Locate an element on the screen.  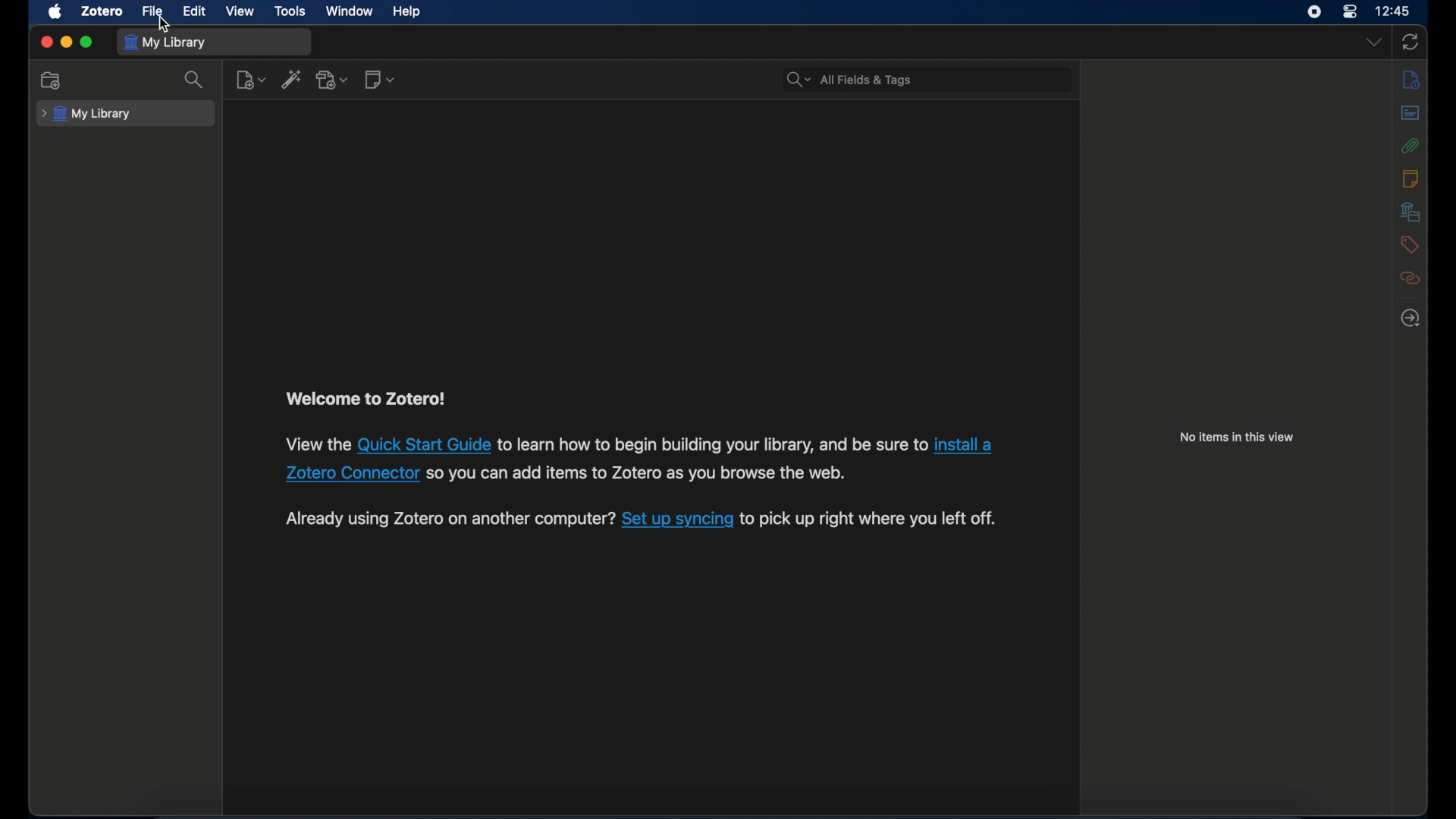
attachments is located at coordinates (1411, 146).